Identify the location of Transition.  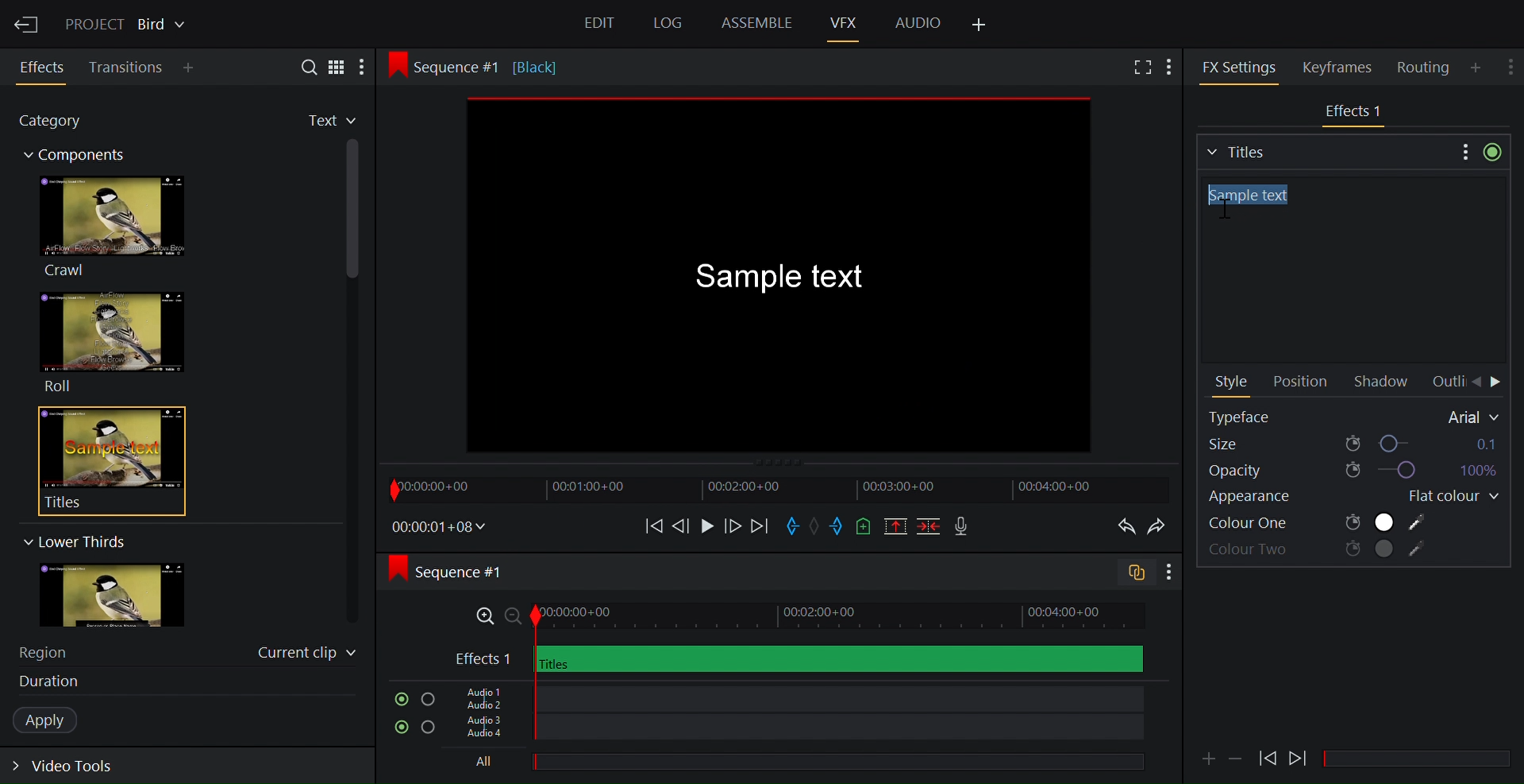
(127, 67).